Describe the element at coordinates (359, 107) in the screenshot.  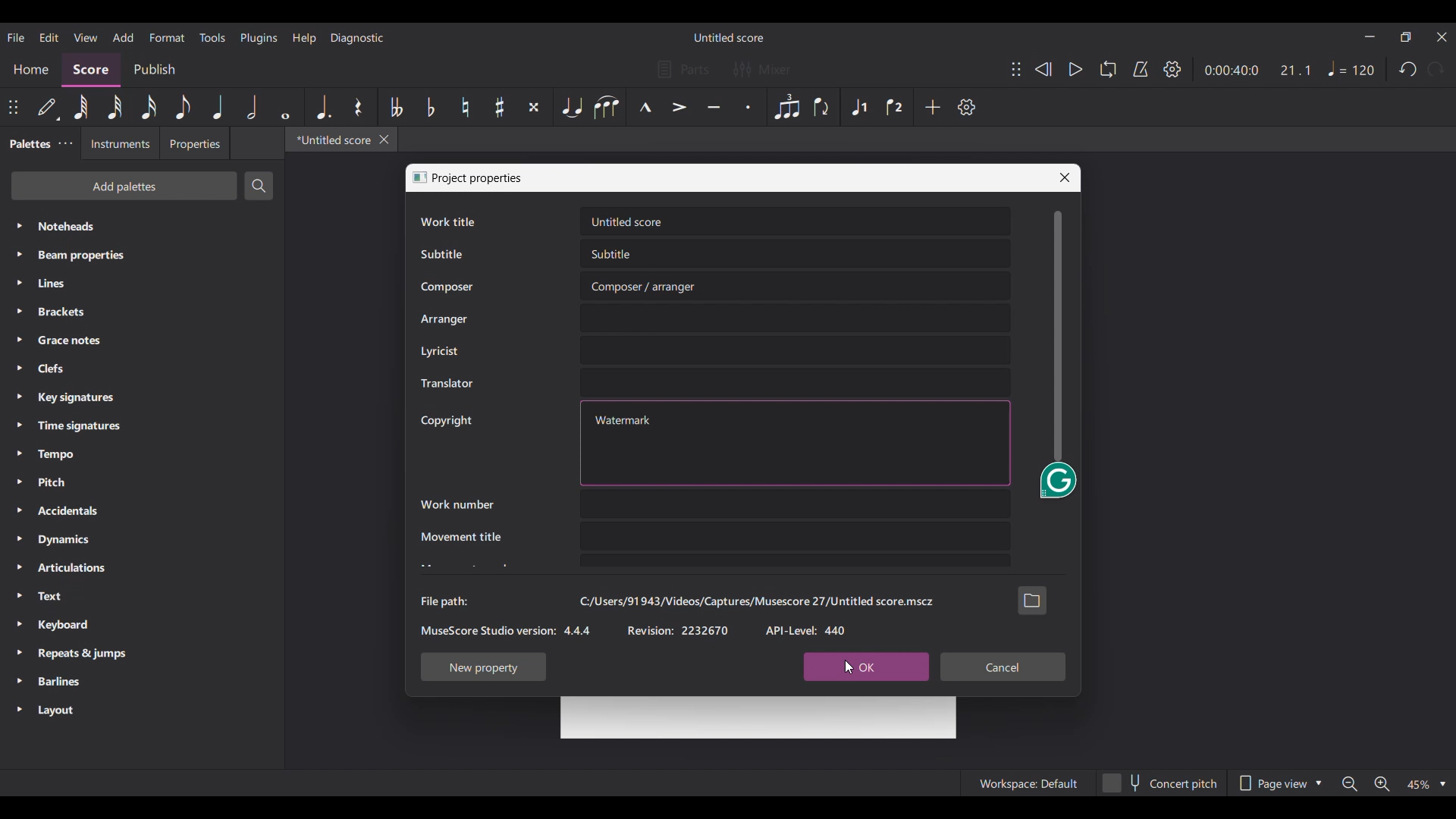
I see `Rest` at that location.